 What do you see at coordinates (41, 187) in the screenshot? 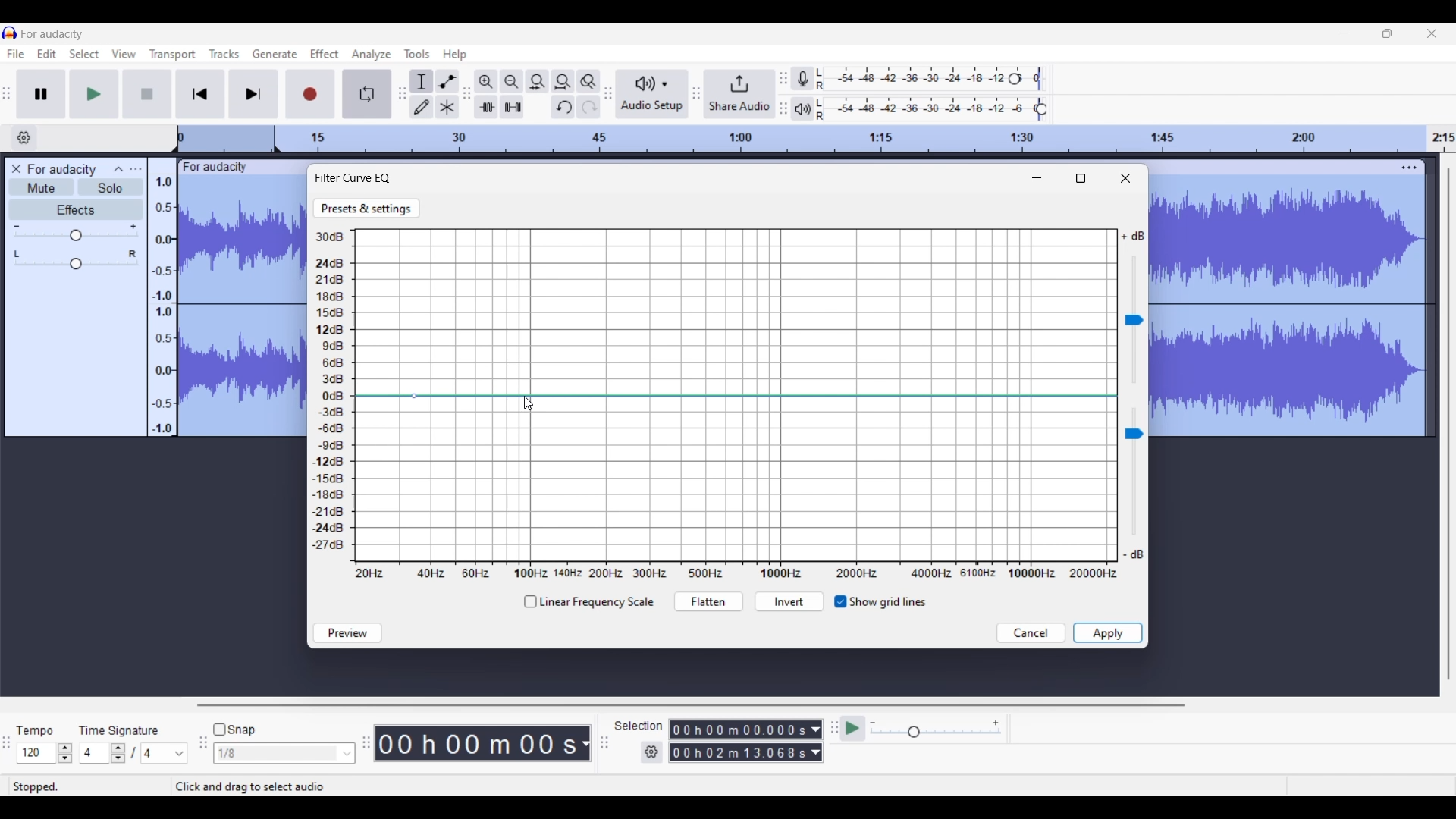
I see `Mute` at bounding box center [41, 187].